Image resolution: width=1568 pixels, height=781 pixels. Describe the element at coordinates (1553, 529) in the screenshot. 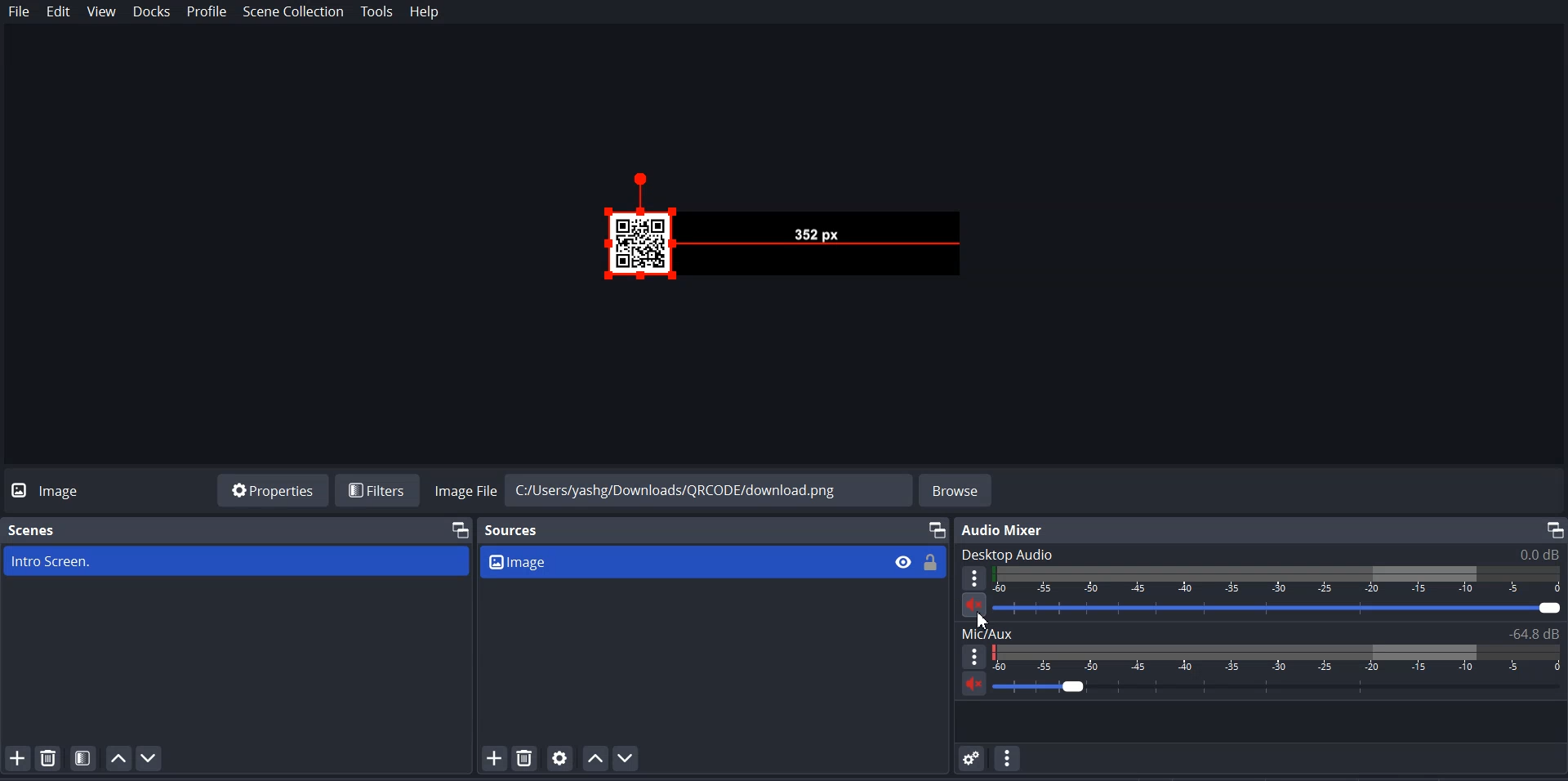

I see `Maximize` at that location.